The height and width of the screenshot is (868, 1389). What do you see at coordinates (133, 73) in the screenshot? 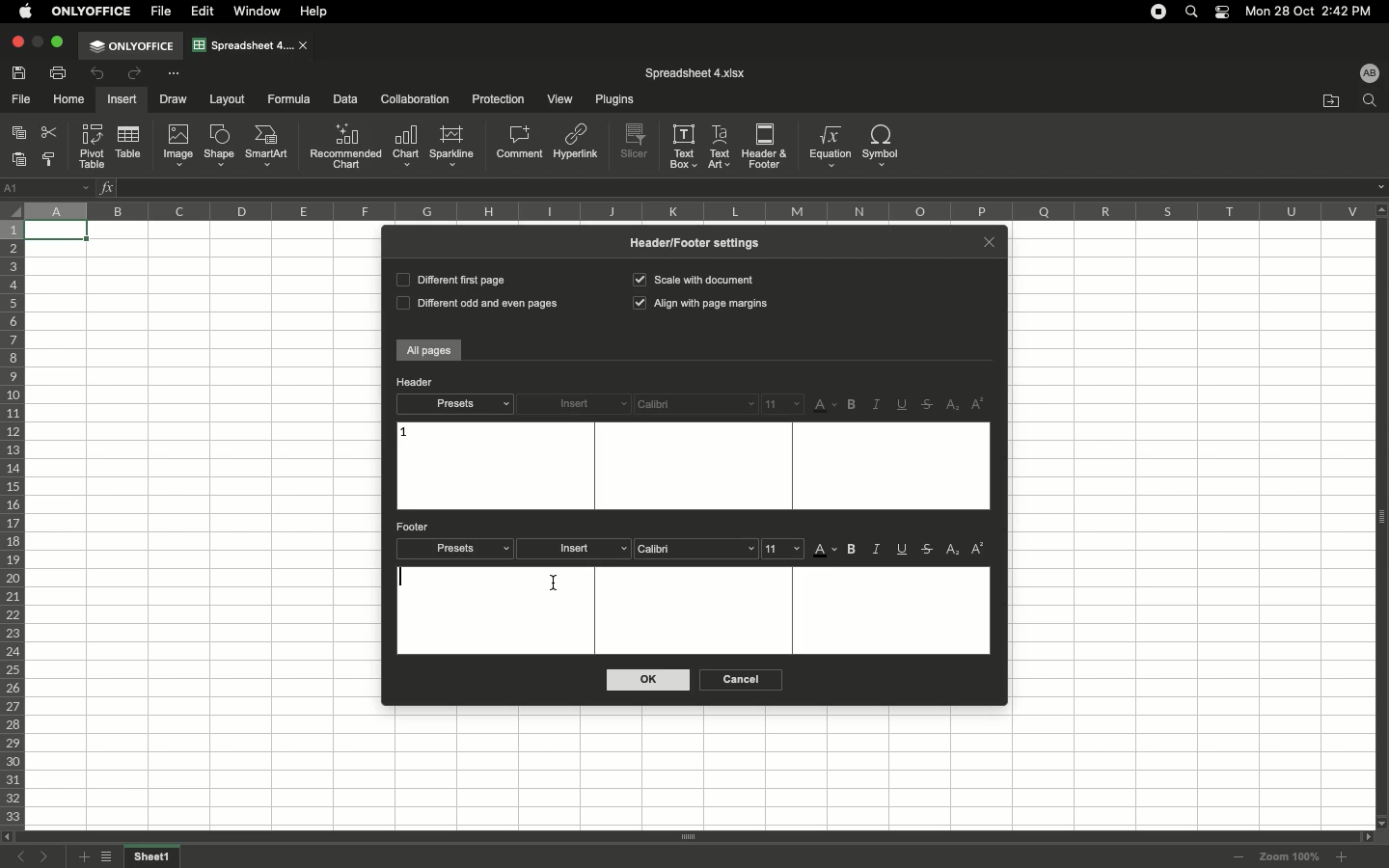
I see `Redo` at bounding box center [133, 73].